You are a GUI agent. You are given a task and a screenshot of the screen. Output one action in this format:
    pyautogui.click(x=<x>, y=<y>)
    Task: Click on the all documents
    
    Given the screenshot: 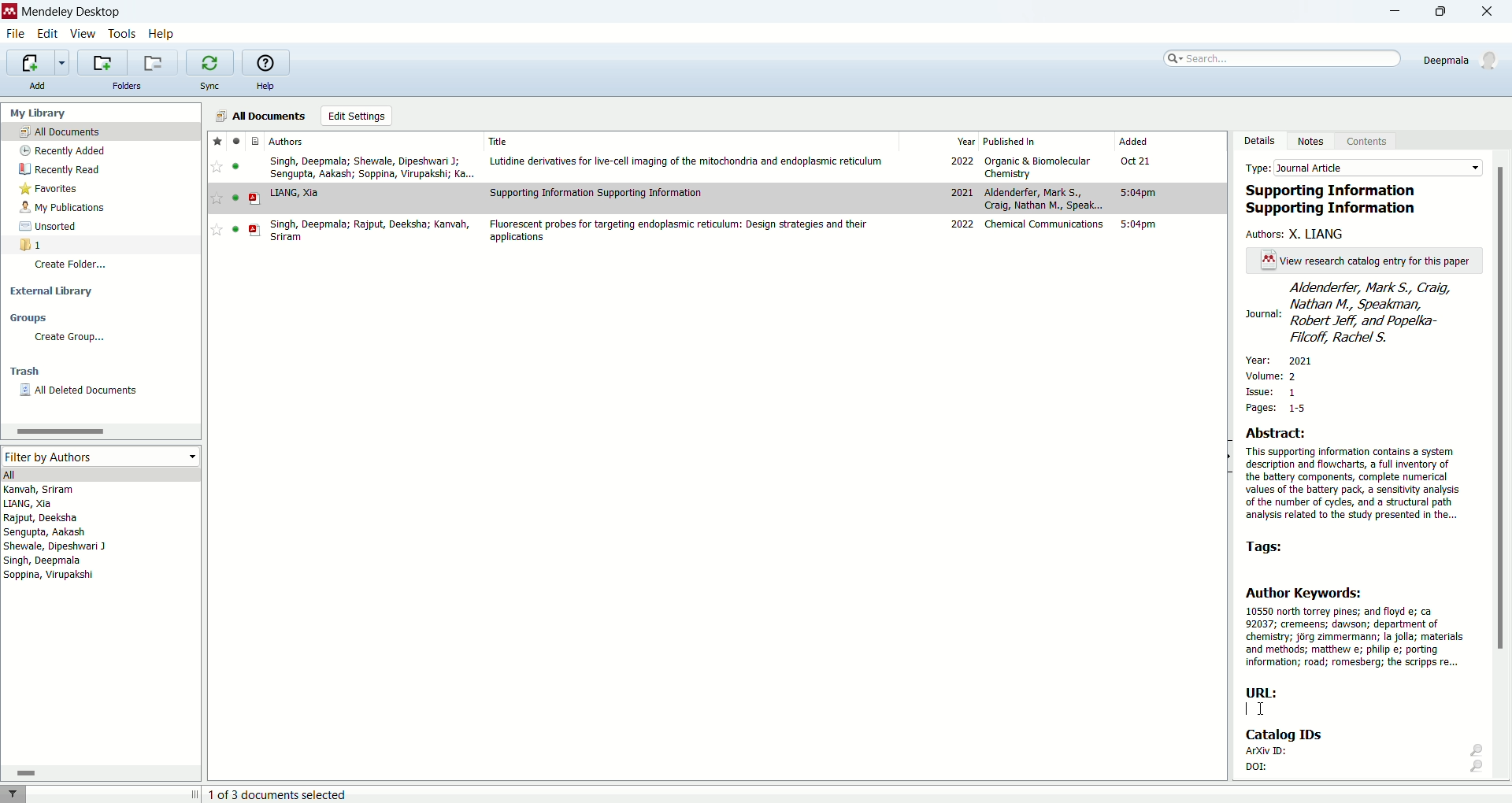 What is the action you would take?
    pyautogui.click(x=261, y=115)
    